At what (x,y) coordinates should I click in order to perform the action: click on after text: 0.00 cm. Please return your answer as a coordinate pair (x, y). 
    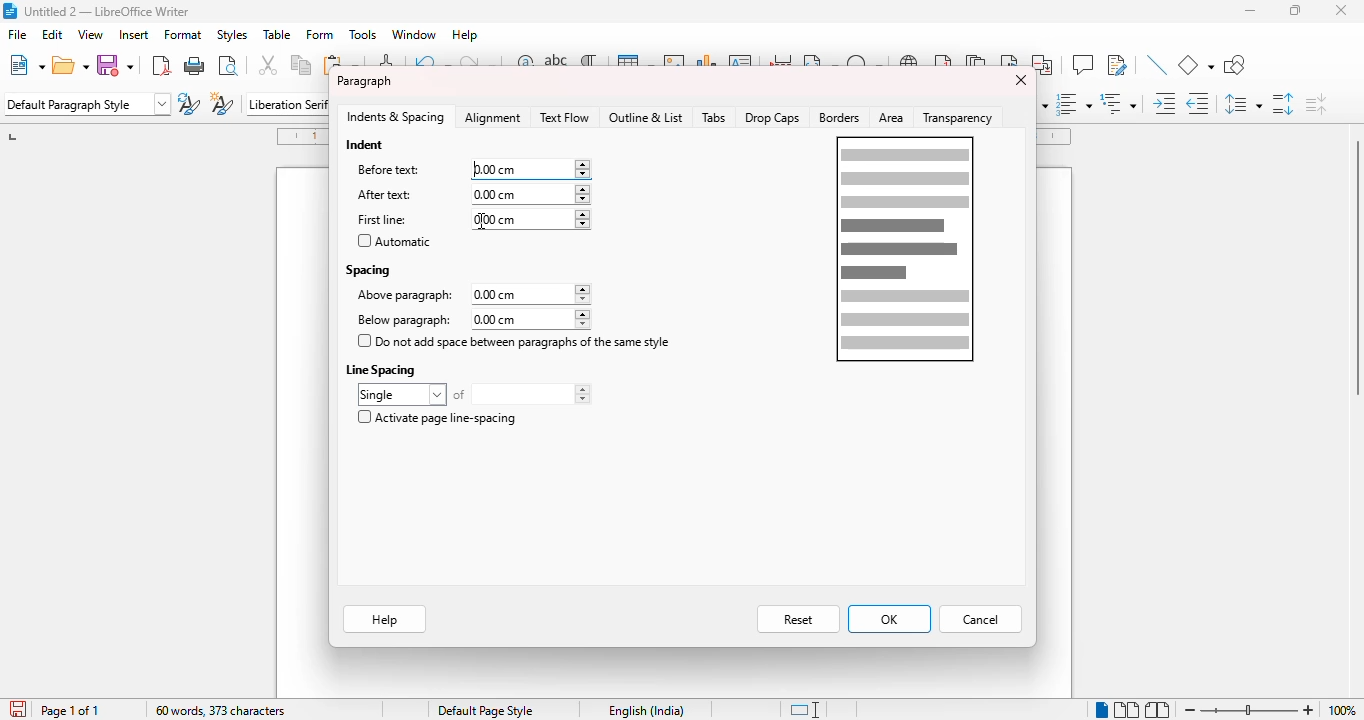
    Looking at the image, I should click on (468, 194).